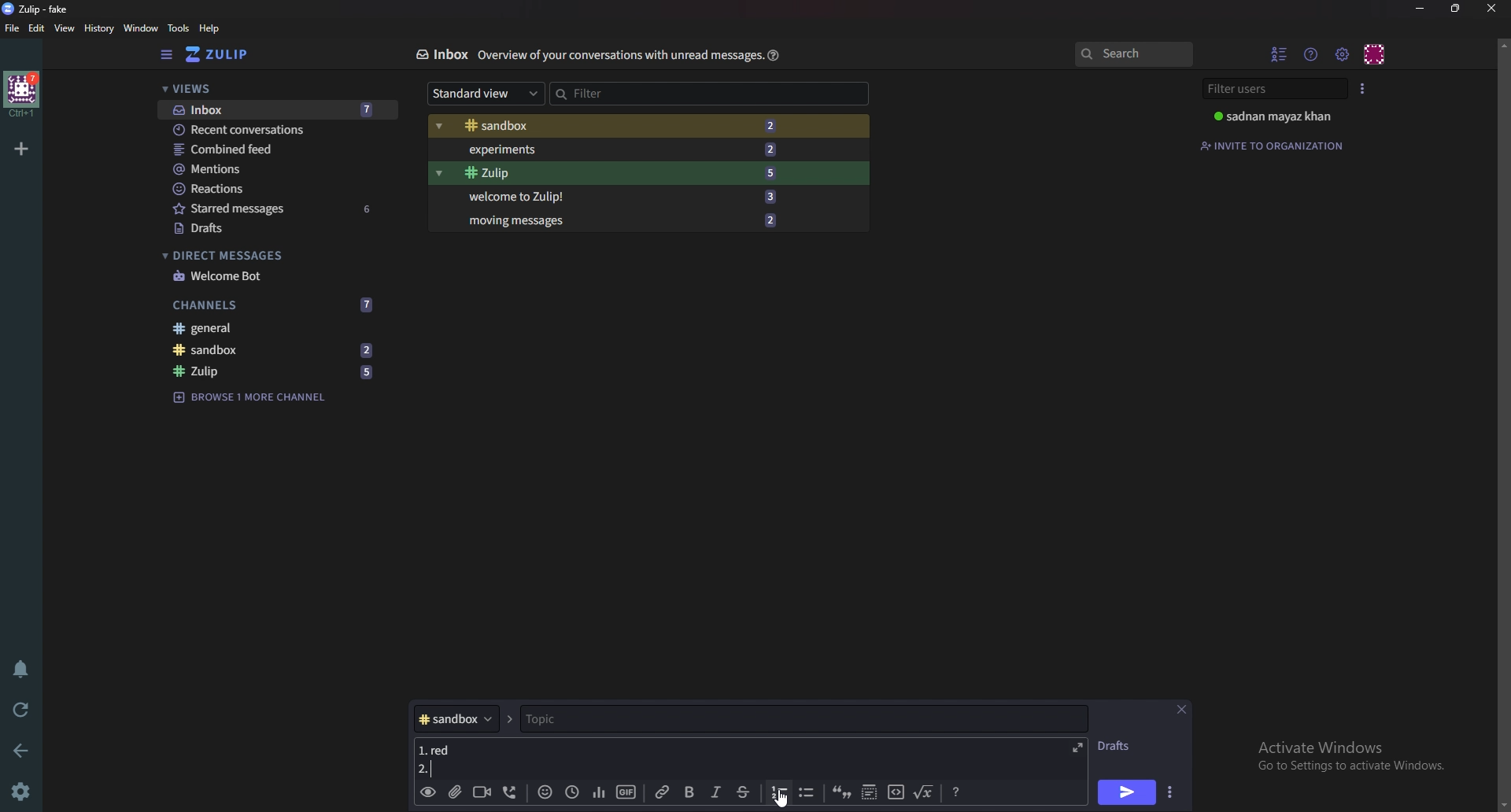 Image resolution: width=1511 pixels, height=812 pixels. What do you see at coordinates (269, 90) in the screenshot?
I see `Views` at bounding box center [269, 90].